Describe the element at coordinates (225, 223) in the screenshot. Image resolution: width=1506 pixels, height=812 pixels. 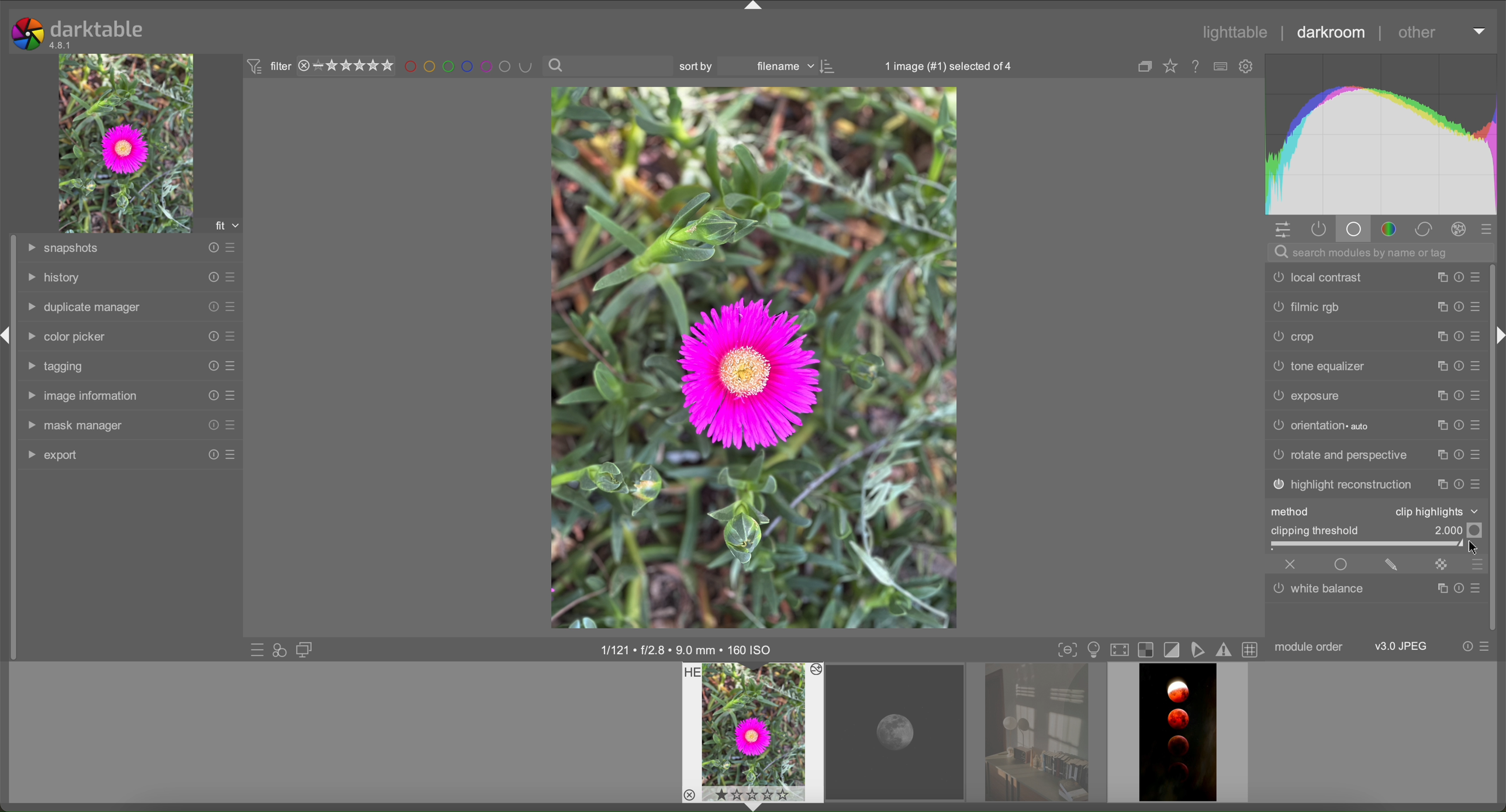
I see `fit` at that location.